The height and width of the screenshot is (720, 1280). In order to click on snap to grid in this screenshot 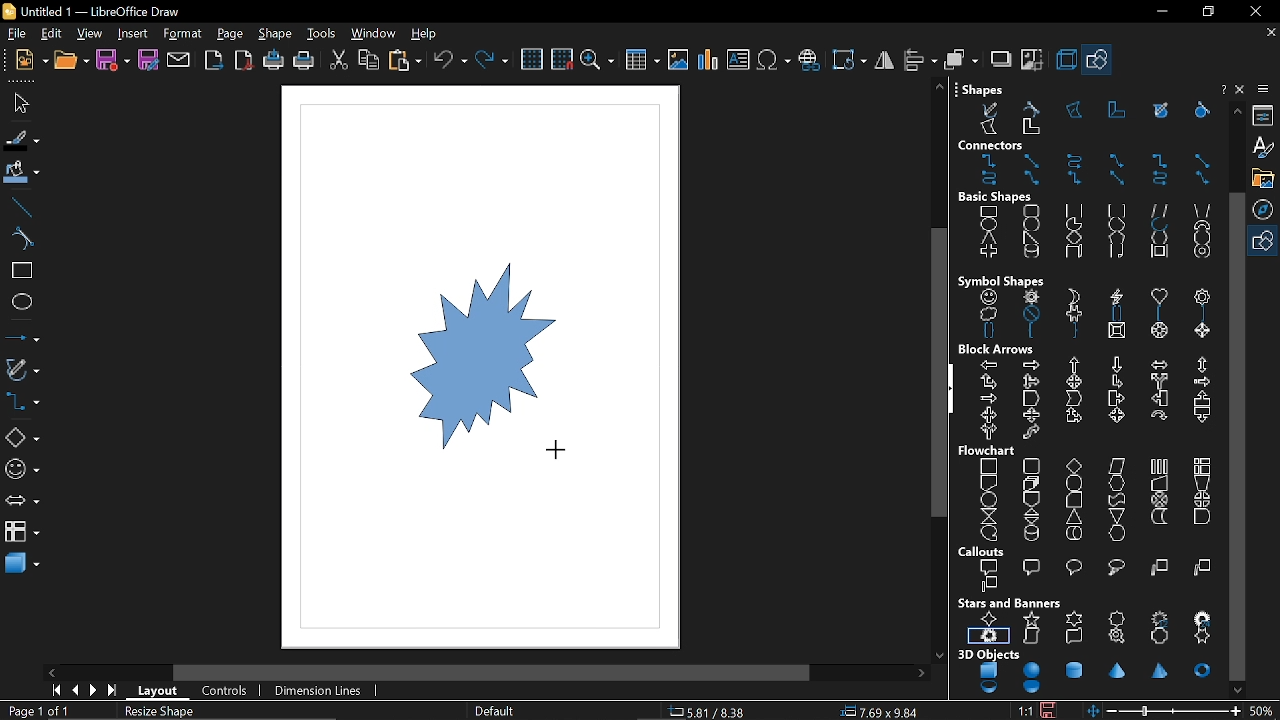, I will do `click(561, 60)`.